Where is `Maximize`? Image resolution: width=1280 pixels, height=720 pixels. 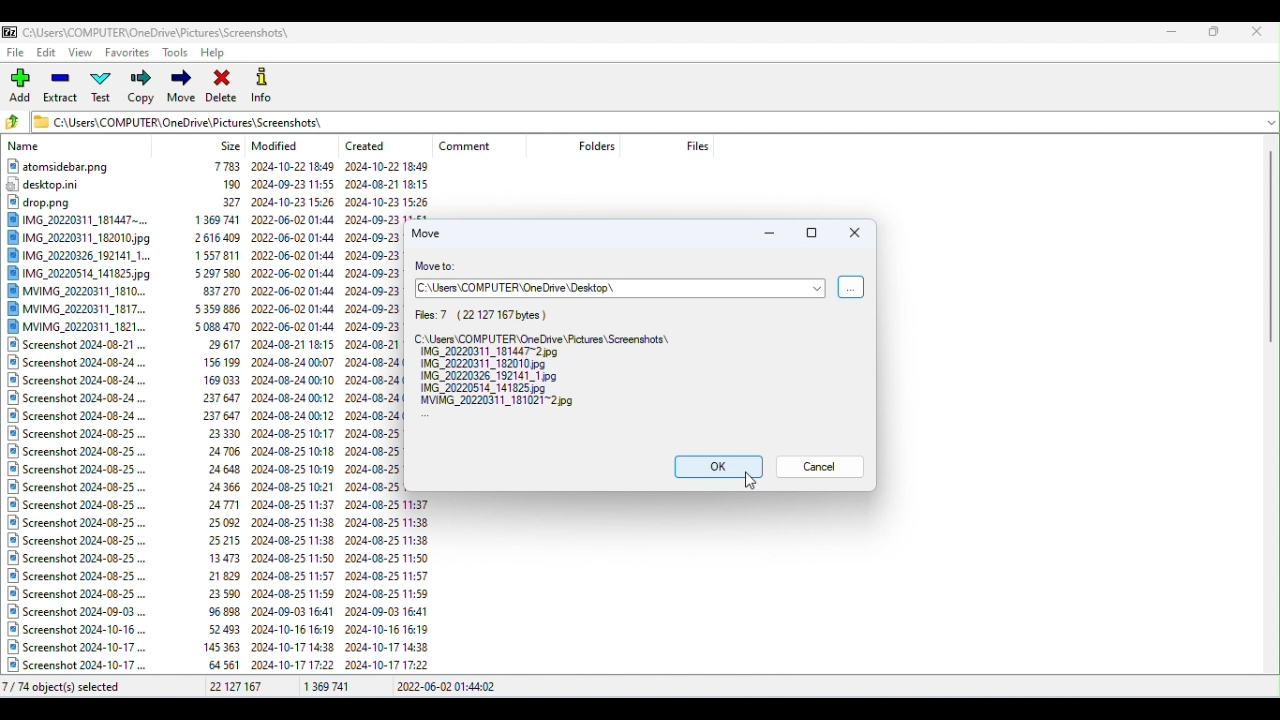 Maximize is located at coordinates (1214, 31).